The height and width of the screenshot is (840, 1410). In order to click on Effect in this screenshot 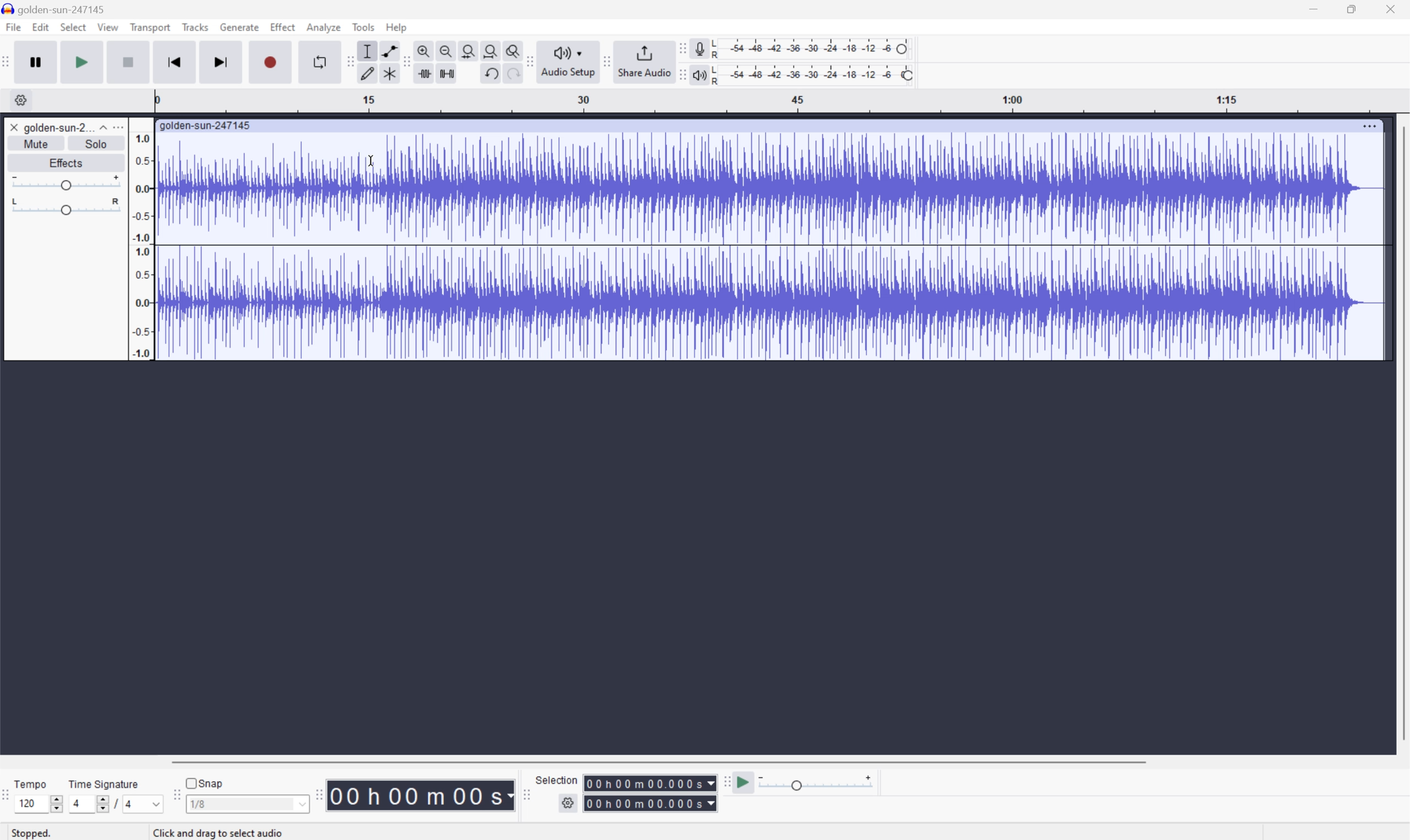, I will do `click(283, 27)`.